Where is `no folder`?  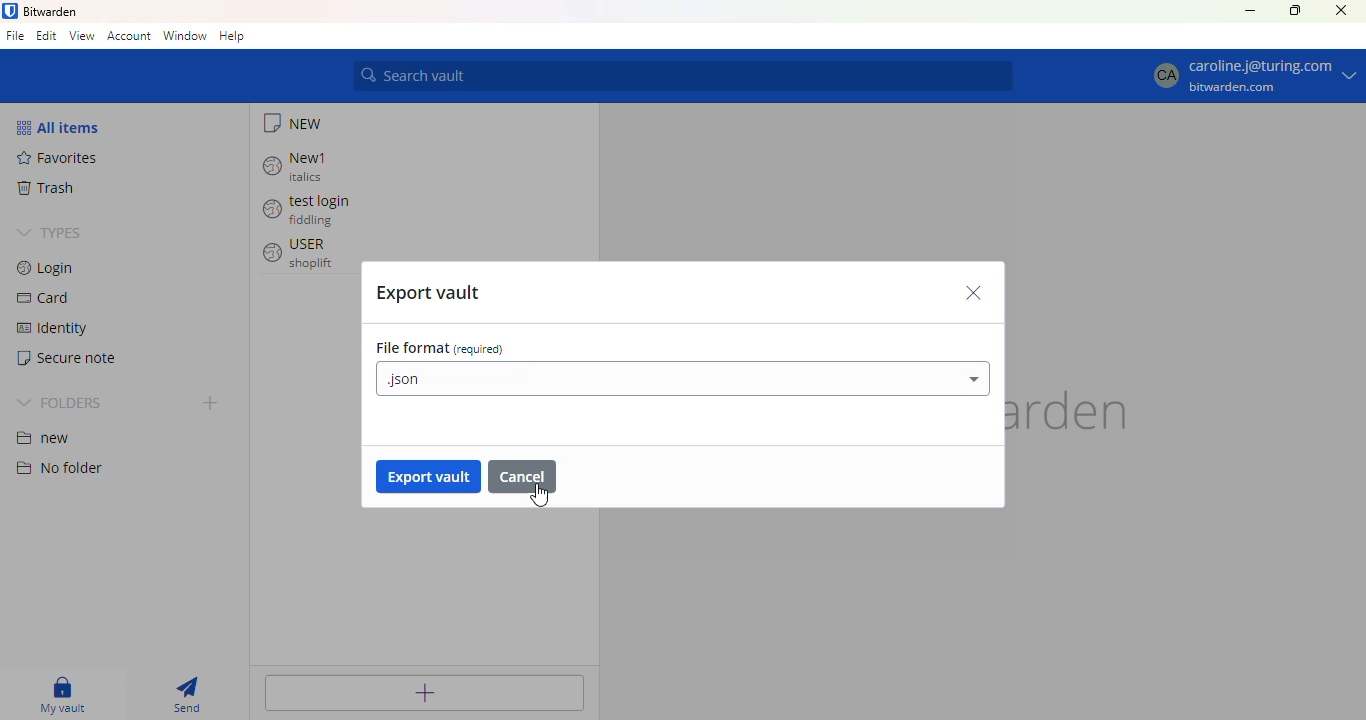
no folder is located at coordinates (57, 467).